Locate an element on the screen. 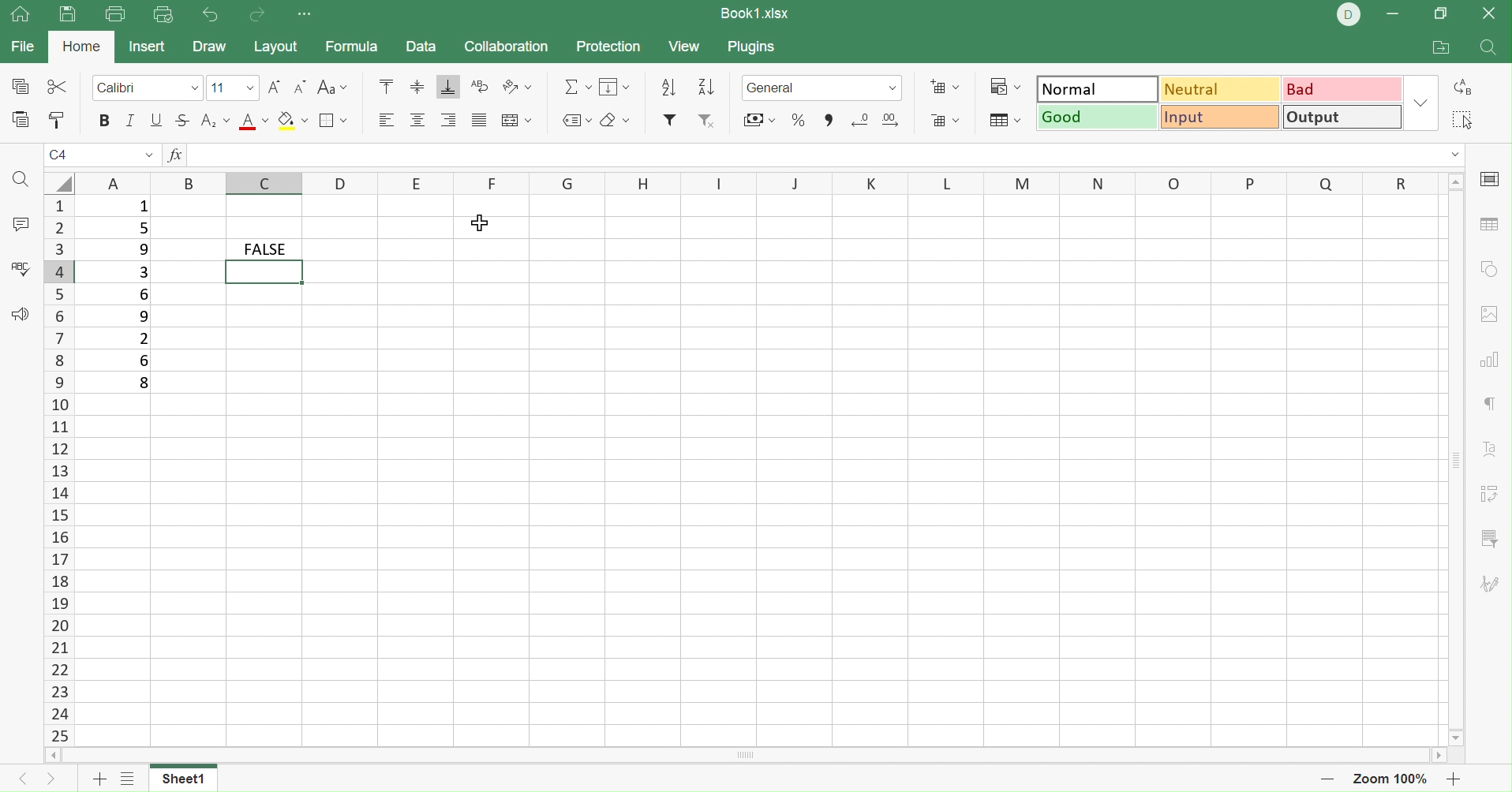  Paste is located at coordinates (22, 119).